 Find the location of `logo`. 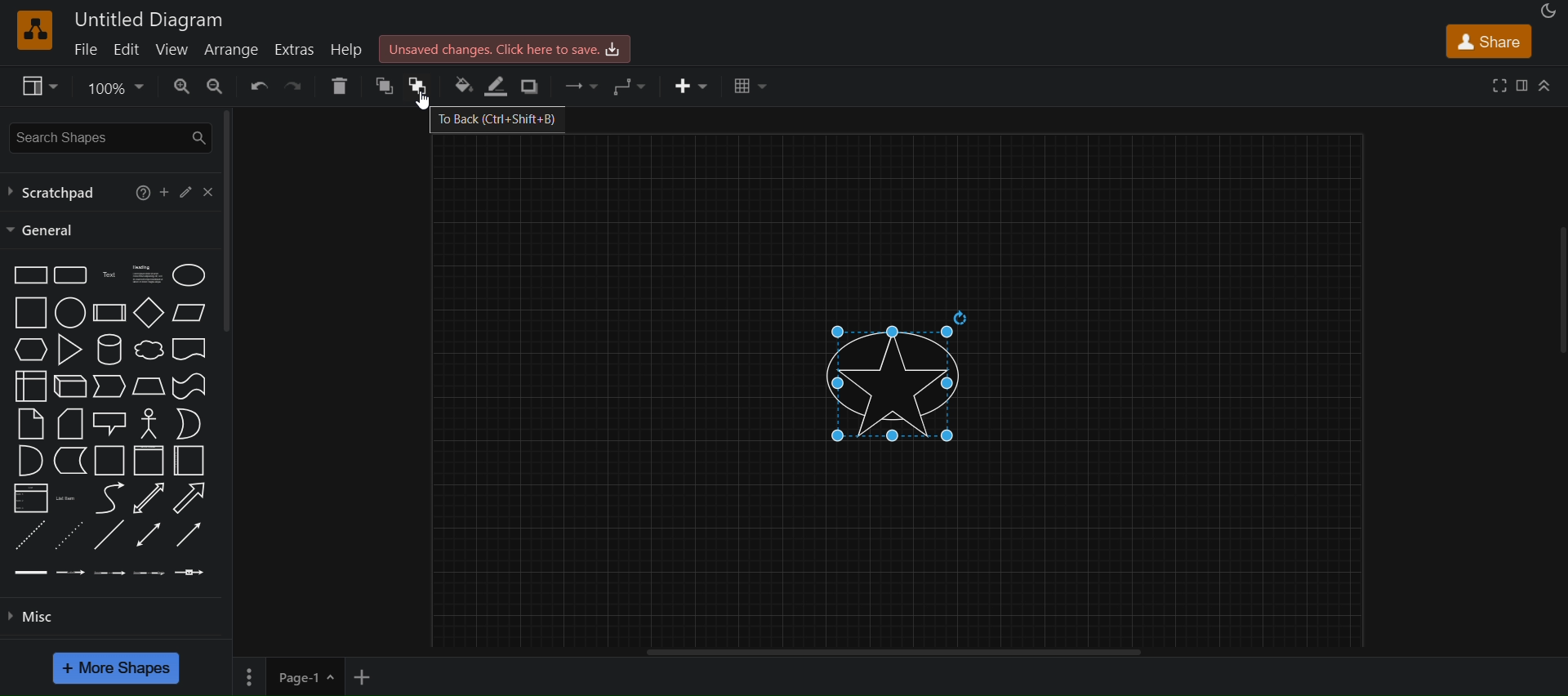

logo is located at coordinates (34, 30).